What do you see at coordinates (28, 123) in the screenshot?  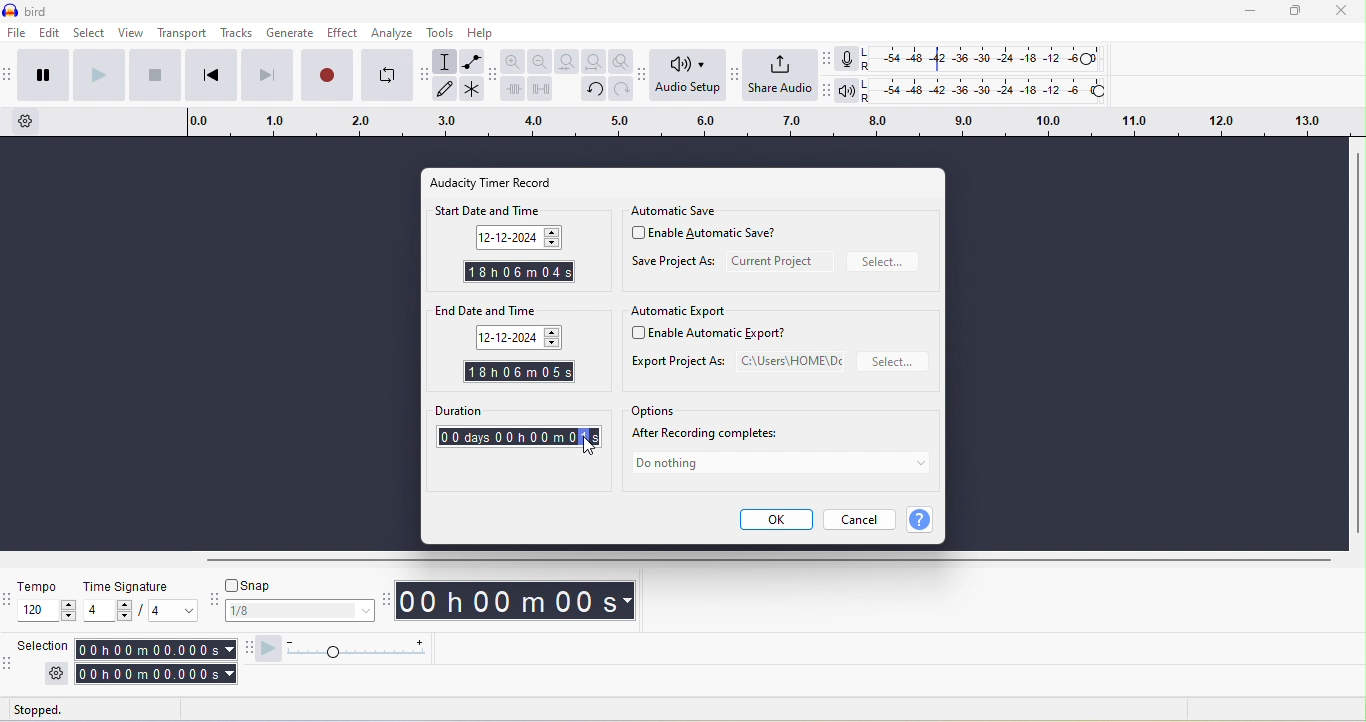 I see `timeline options` at bounding box center [28, 123].